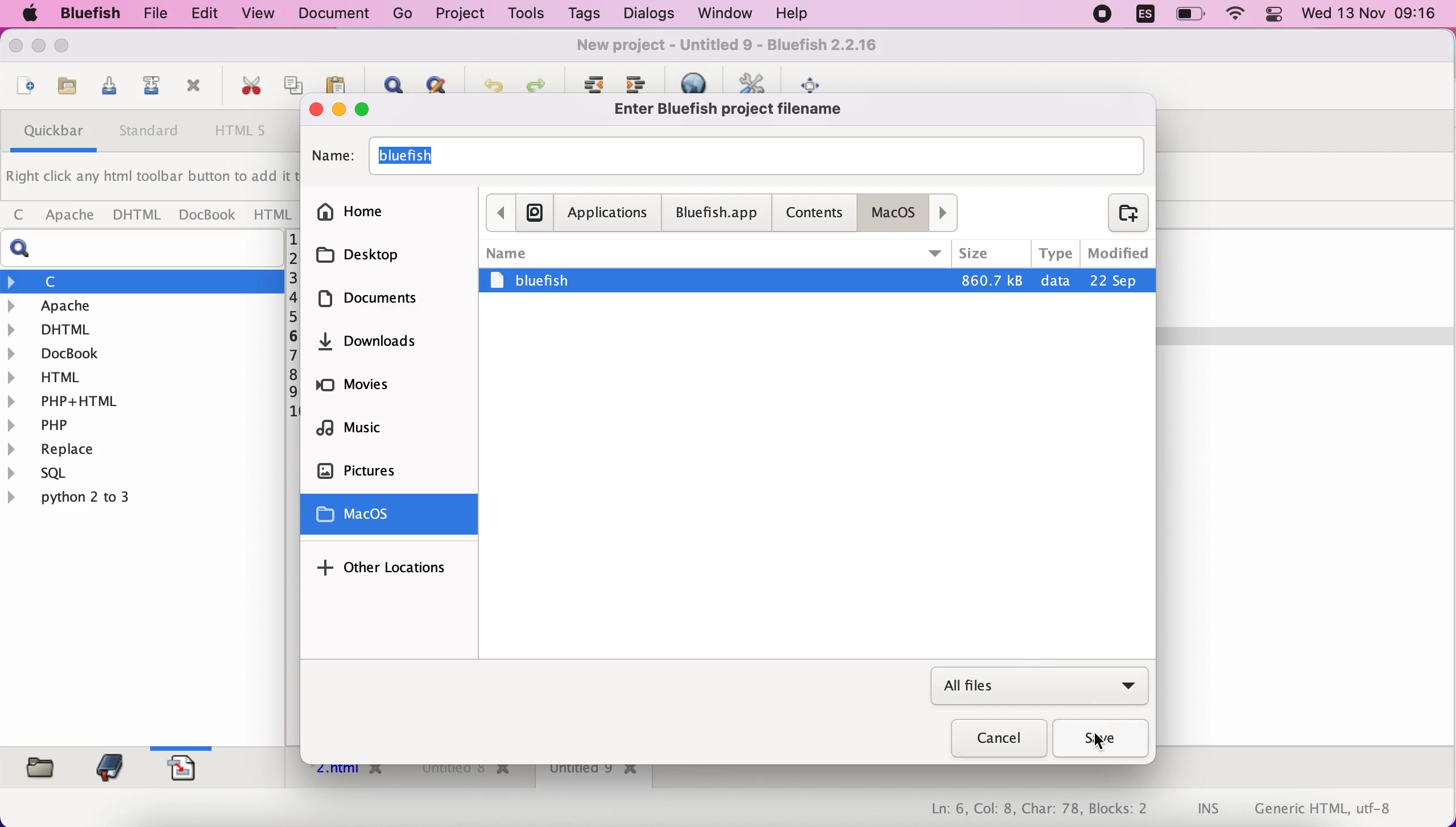 This screenshot has width=1456, height=827. I want to click on size, so click(991, 253).